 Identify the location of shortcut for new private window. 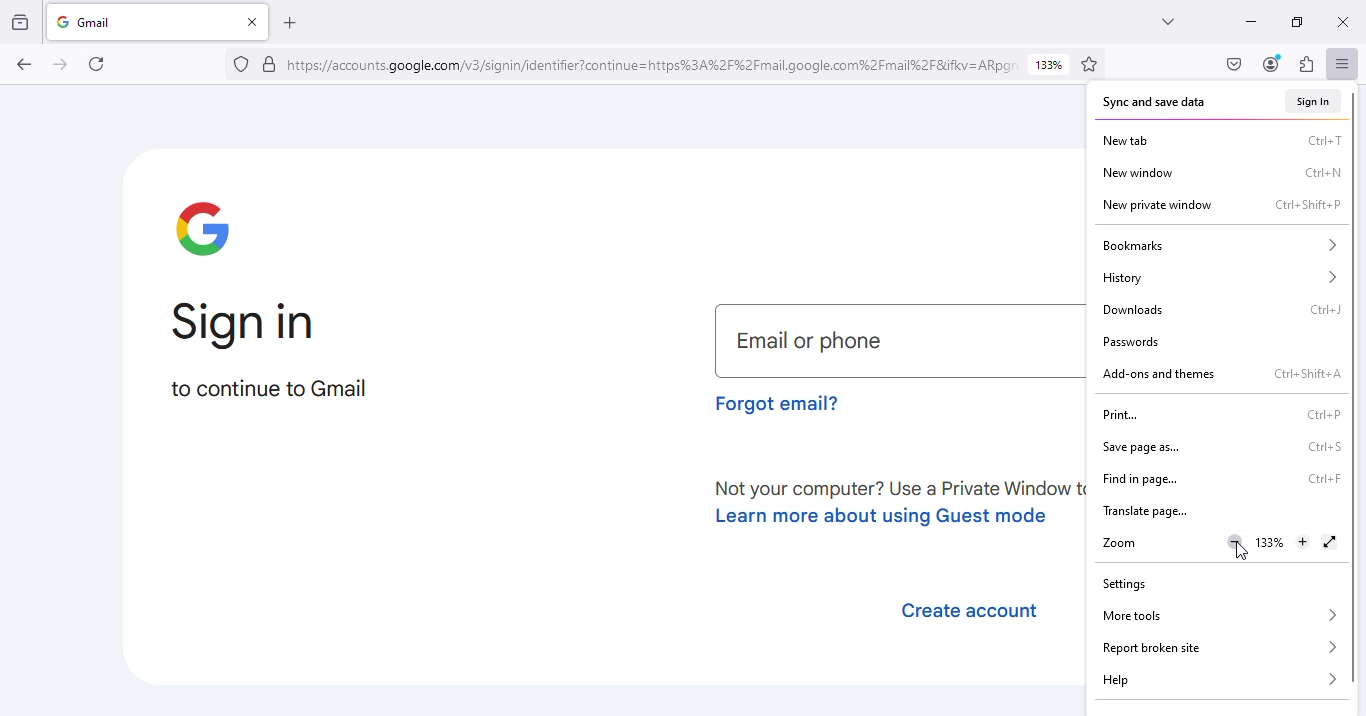
(1308, 206).